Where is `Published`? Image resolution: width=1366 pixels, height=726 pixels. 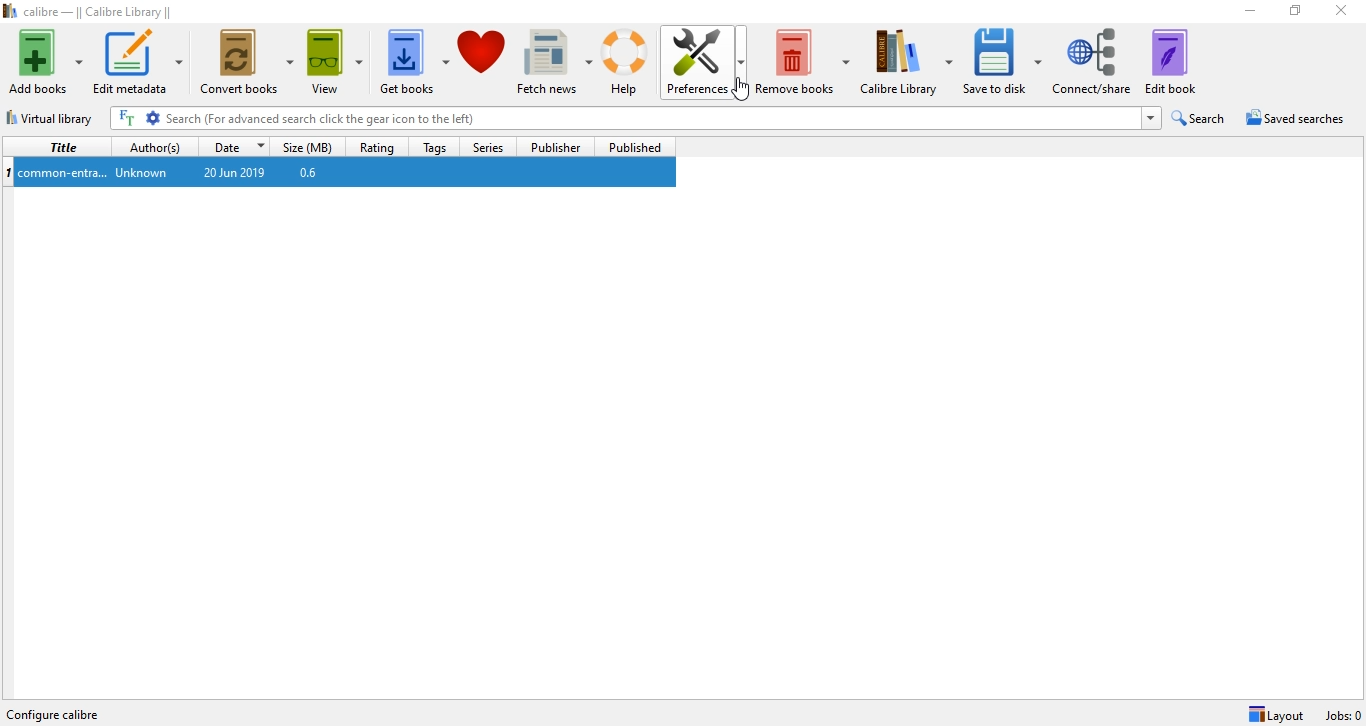
Published is located at coordinates (634, 147).